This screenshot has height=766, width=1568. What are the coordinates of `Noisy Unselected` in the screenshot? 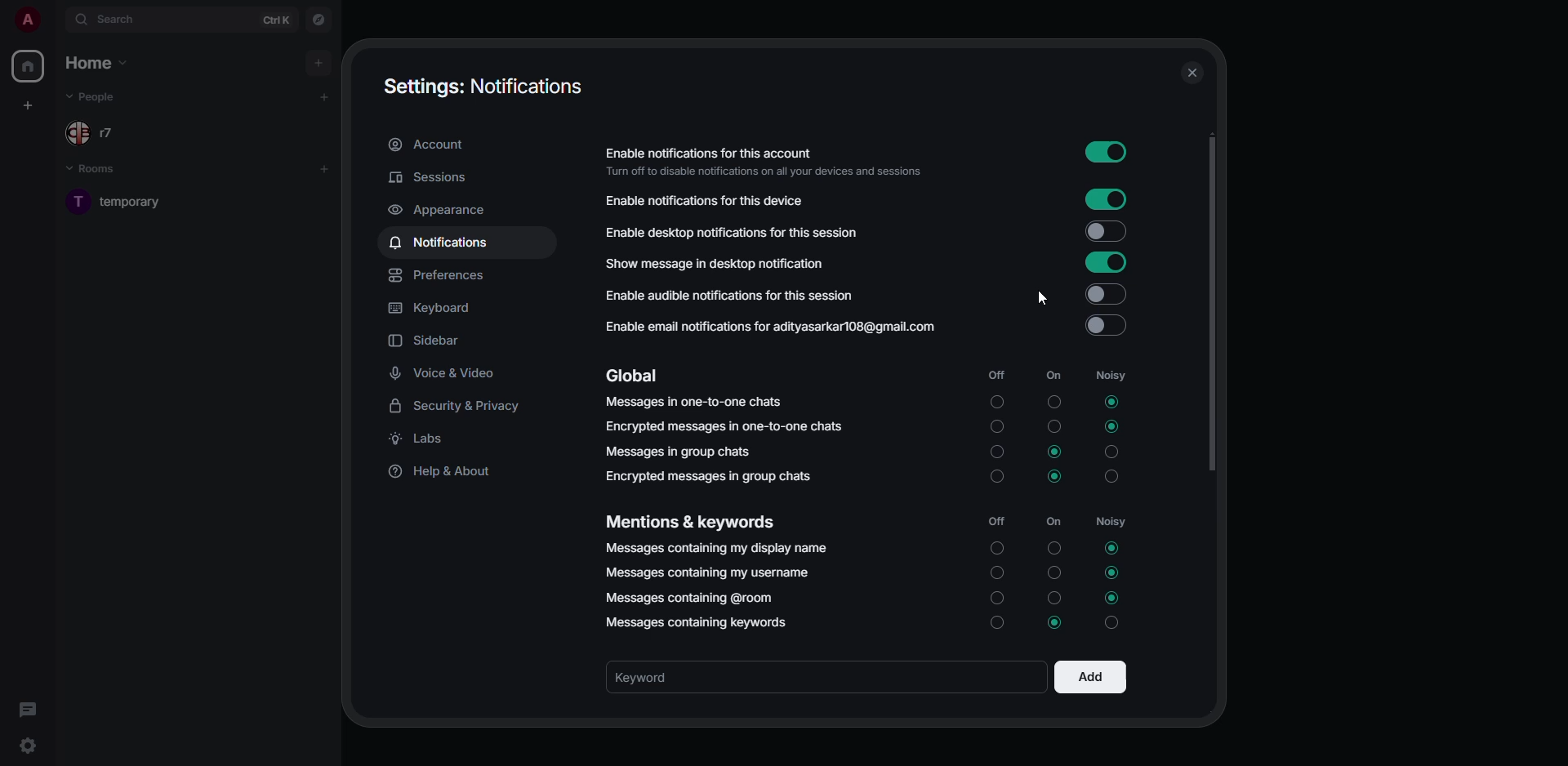 It's located at (1111, 451).